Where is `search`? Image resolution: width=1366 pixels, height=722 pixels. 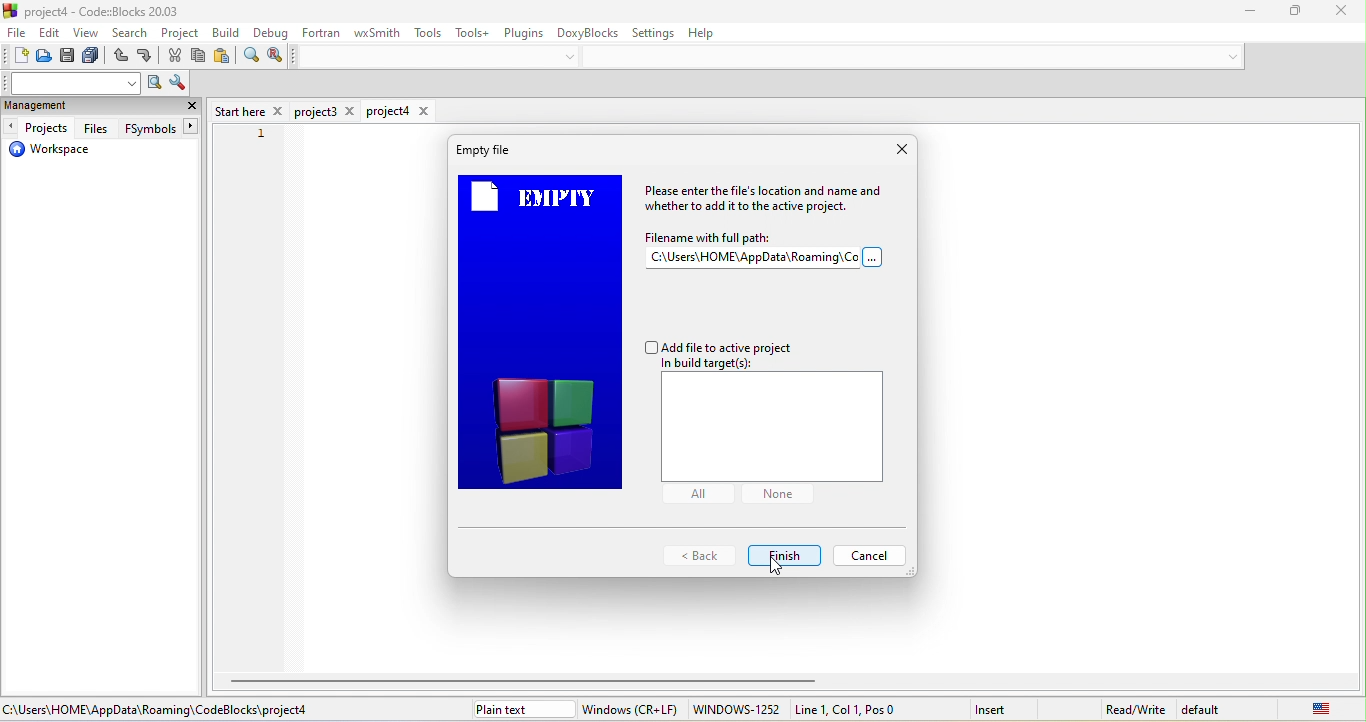
search is located at coordinates (132, 35).